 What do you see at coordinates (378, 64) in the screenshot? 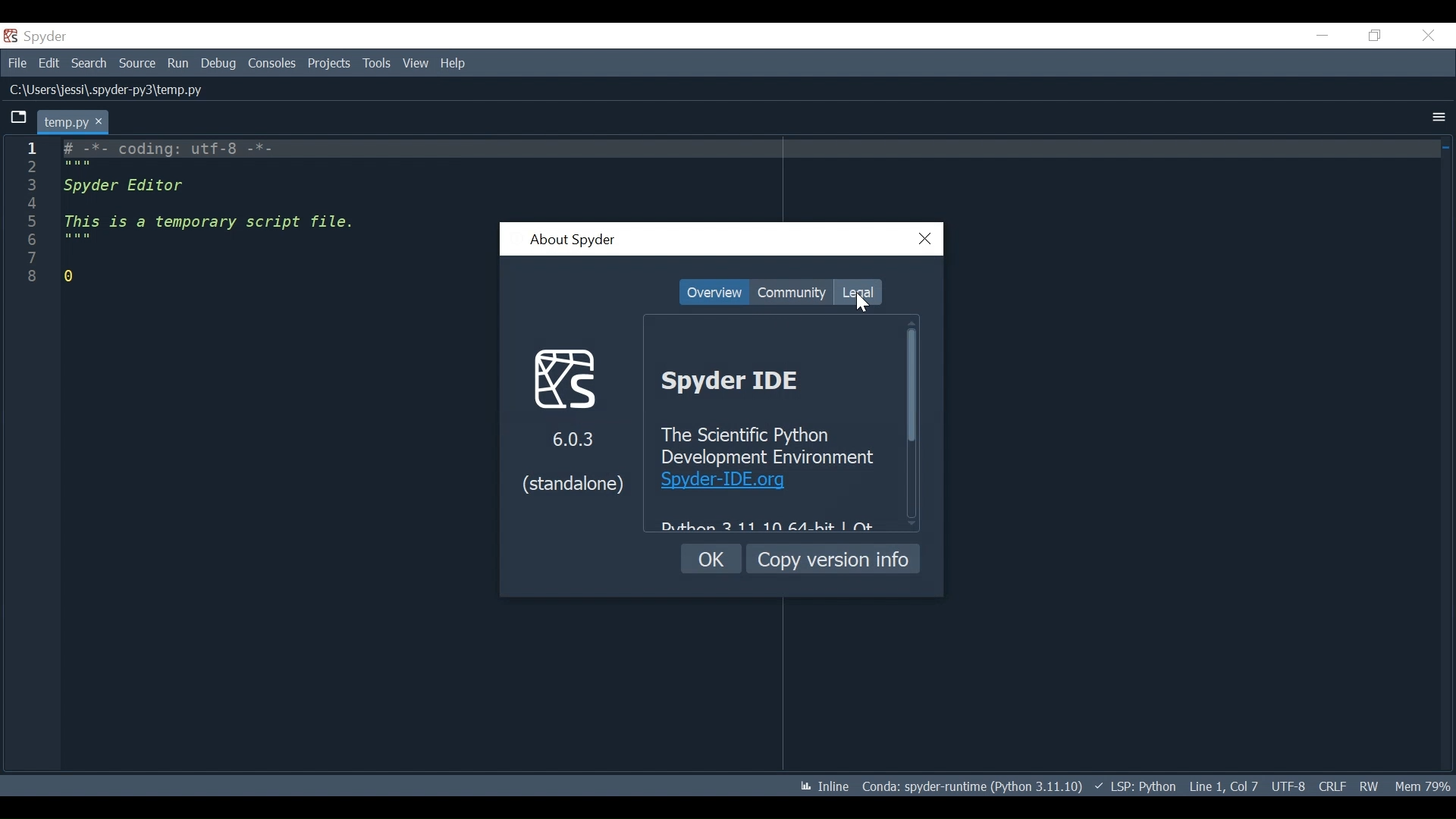
I see `Tools` at bounding box center [378, 64].